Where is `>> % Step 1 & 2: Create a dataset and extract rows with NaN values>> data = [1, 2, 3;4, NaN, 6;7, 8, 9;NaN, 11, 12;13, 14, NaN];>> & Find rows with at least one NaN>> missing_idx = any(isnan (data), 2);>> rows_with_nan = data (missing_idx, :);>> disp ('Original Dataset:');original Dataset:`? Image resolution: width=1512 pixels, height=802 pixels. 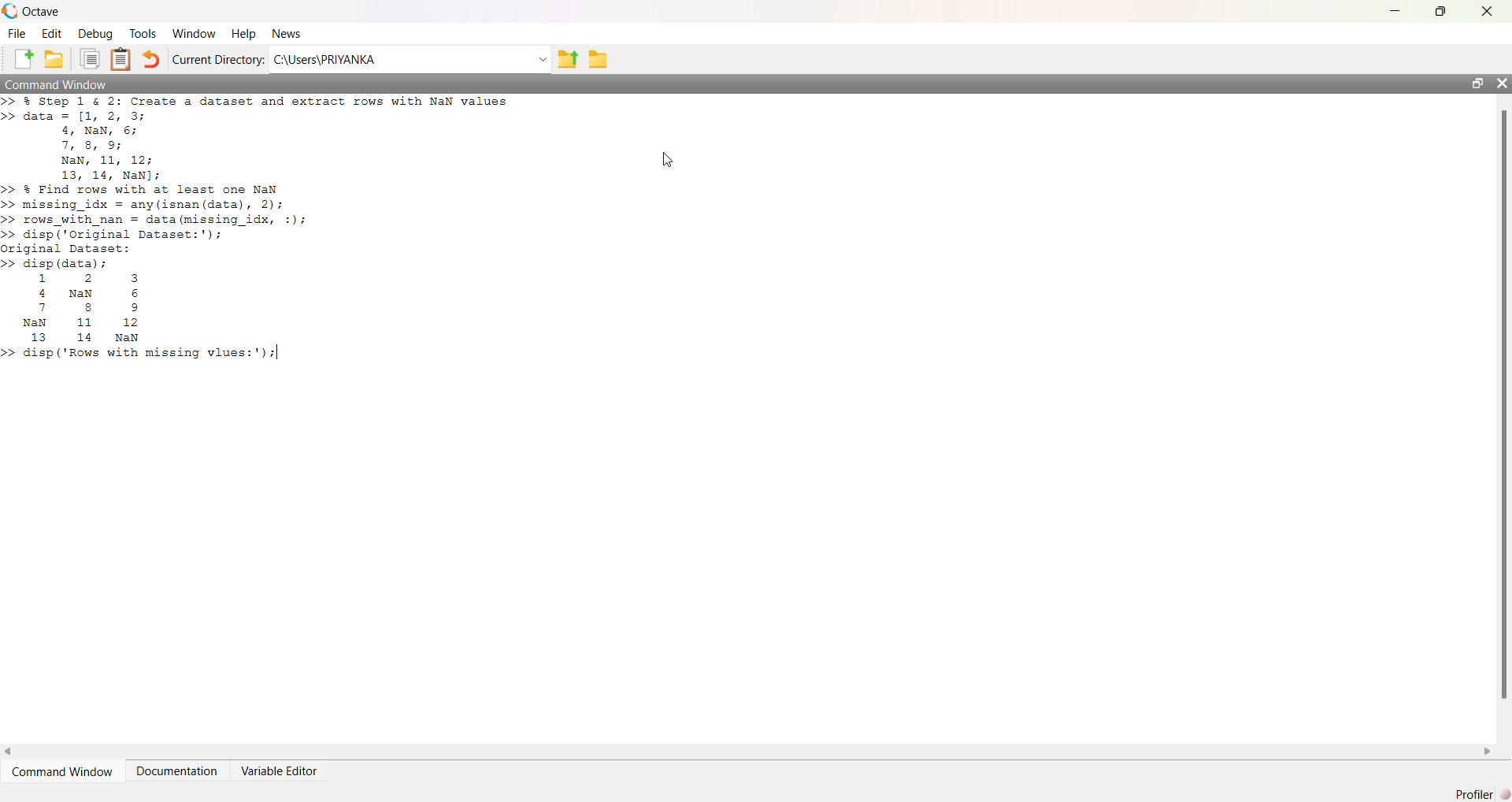 >> % Step 1 & 2: Create a dataset and extract rows with NaN values>> data = [1, 2, 3;4, NaN, 6;7, 8, 9;NaN, 11, 12;13, 14, NaN];>> & Find rows with at least one NaN>> missing_idx = any(isnan (data), 2);>> rows_with_nan = data (missing_idx, :);>> disp ('Original Dataset:');original Dataset: is located at coordinates (259, 174).